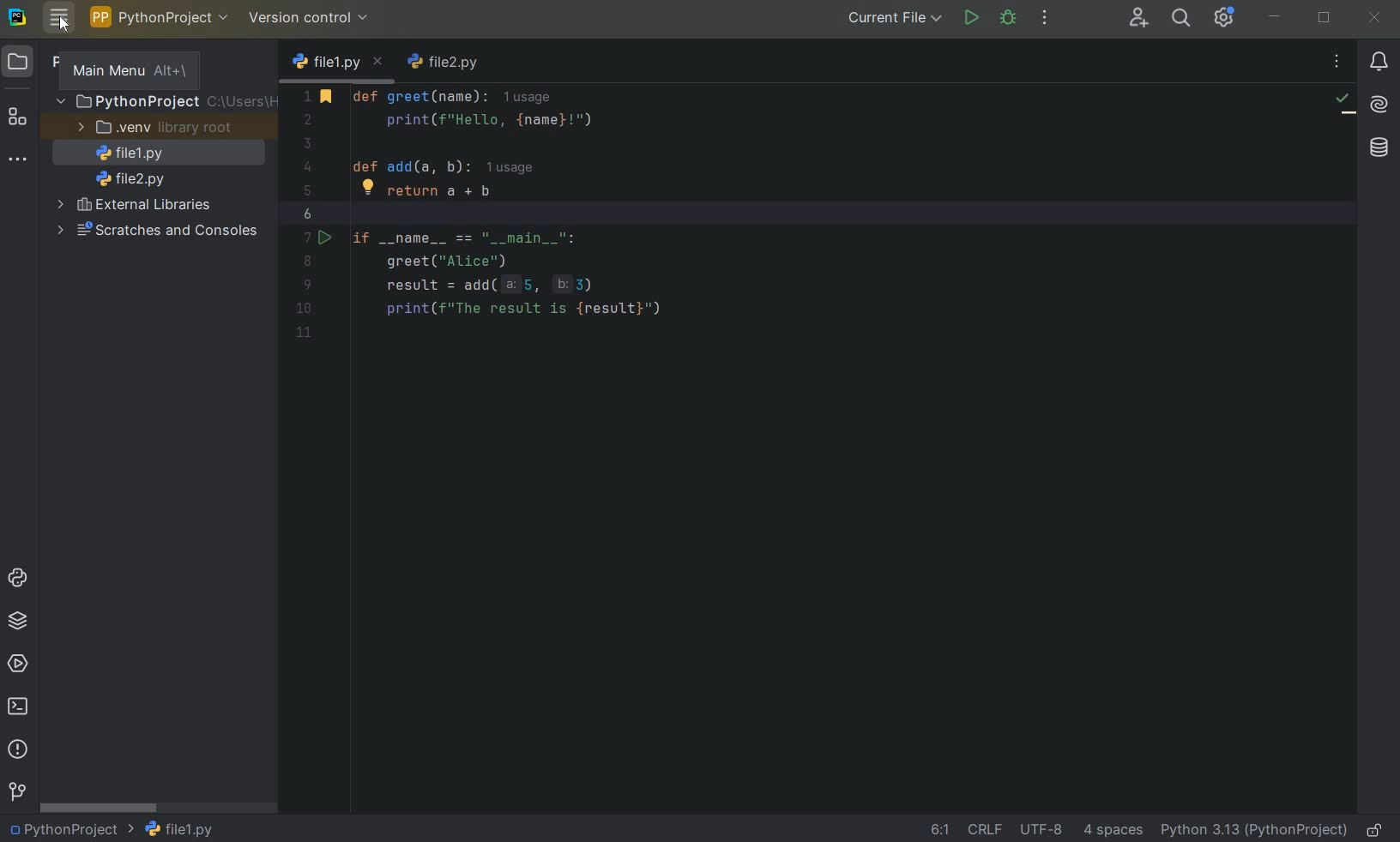 This screenshot has height=842, width=1400. What do you see at coordinates (312, 18) in the screenshot?
I see `version control` at bounding box center [312, 18].